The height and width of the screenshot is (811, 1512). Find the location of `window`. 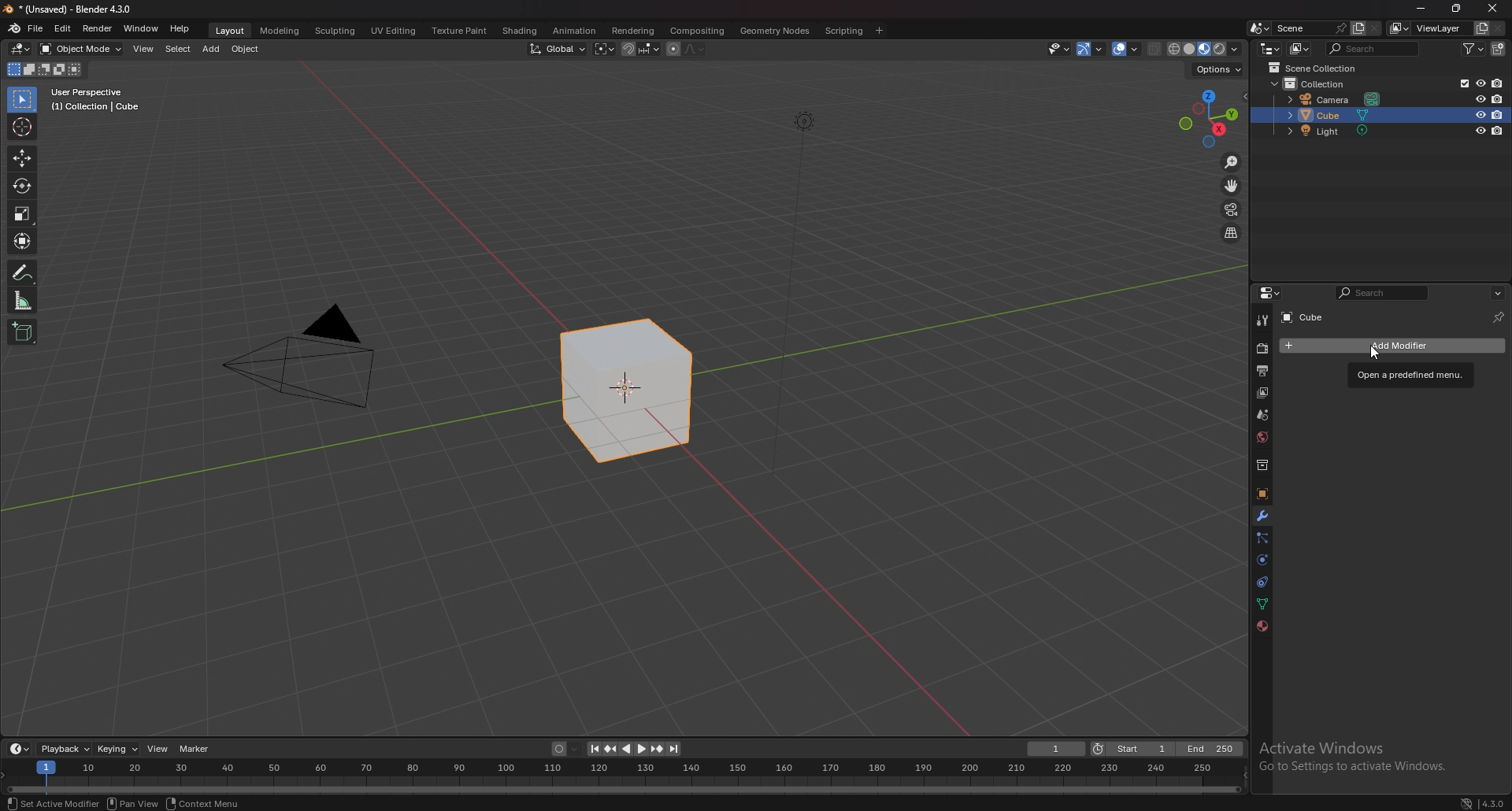

window is located at coordinates (142, 27).